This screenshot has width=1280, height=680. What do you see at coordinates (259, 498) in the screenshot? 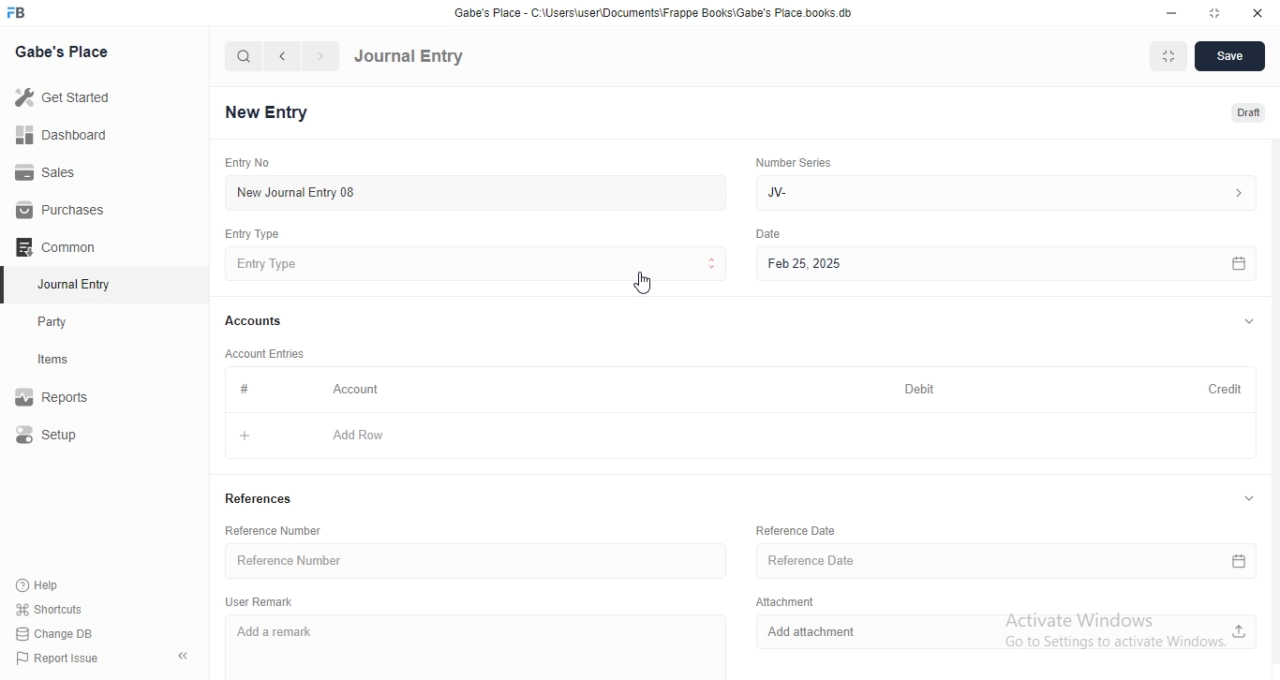
I see `References` at bounding box center [259, 498].